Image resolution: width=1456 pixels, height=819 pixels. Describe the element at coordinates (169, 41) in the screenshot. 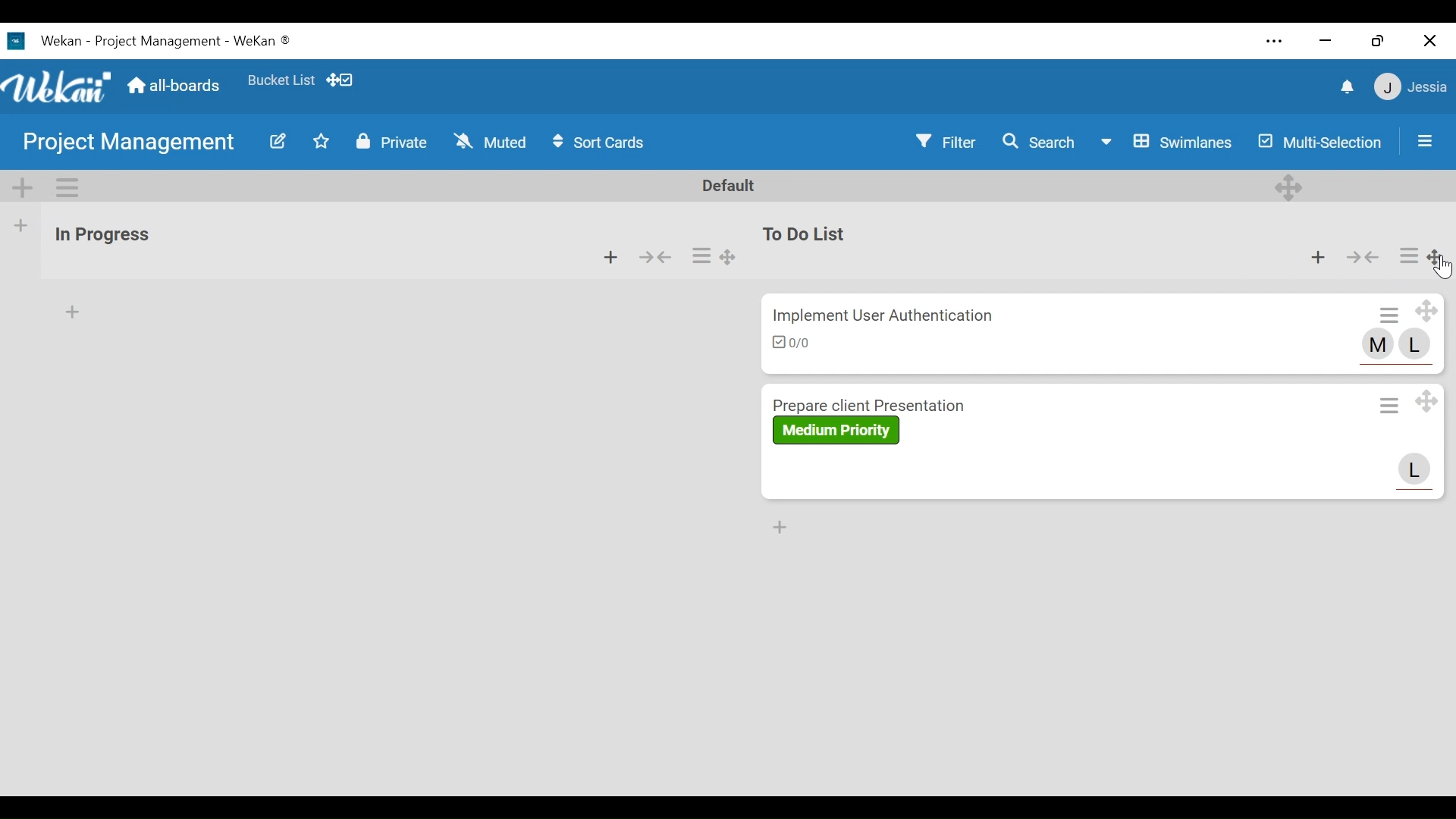

I see `Wekan - Project Management - WeKan ®` at that location.